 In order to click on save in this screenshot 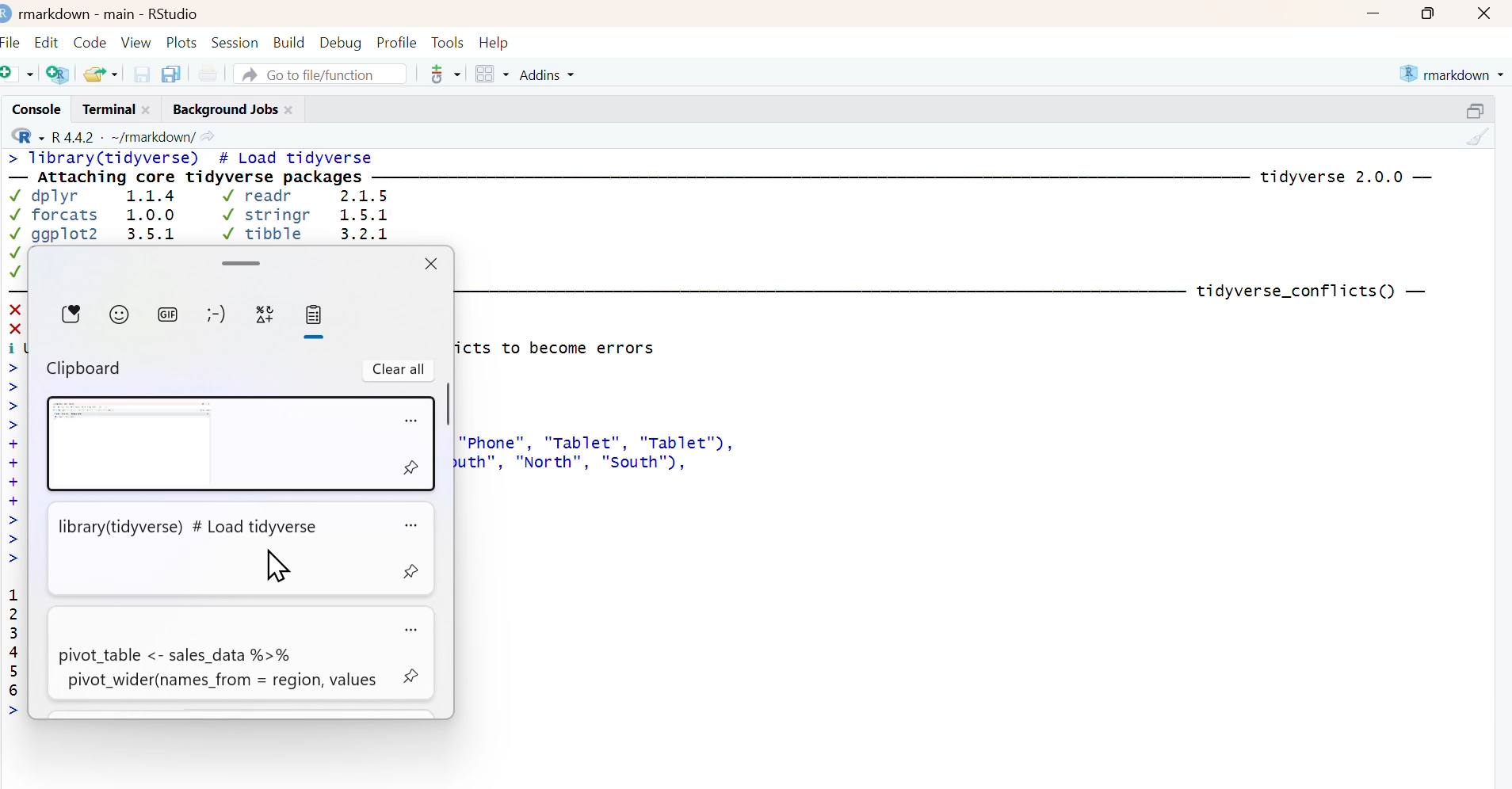, I will do `click(143, 73)`.